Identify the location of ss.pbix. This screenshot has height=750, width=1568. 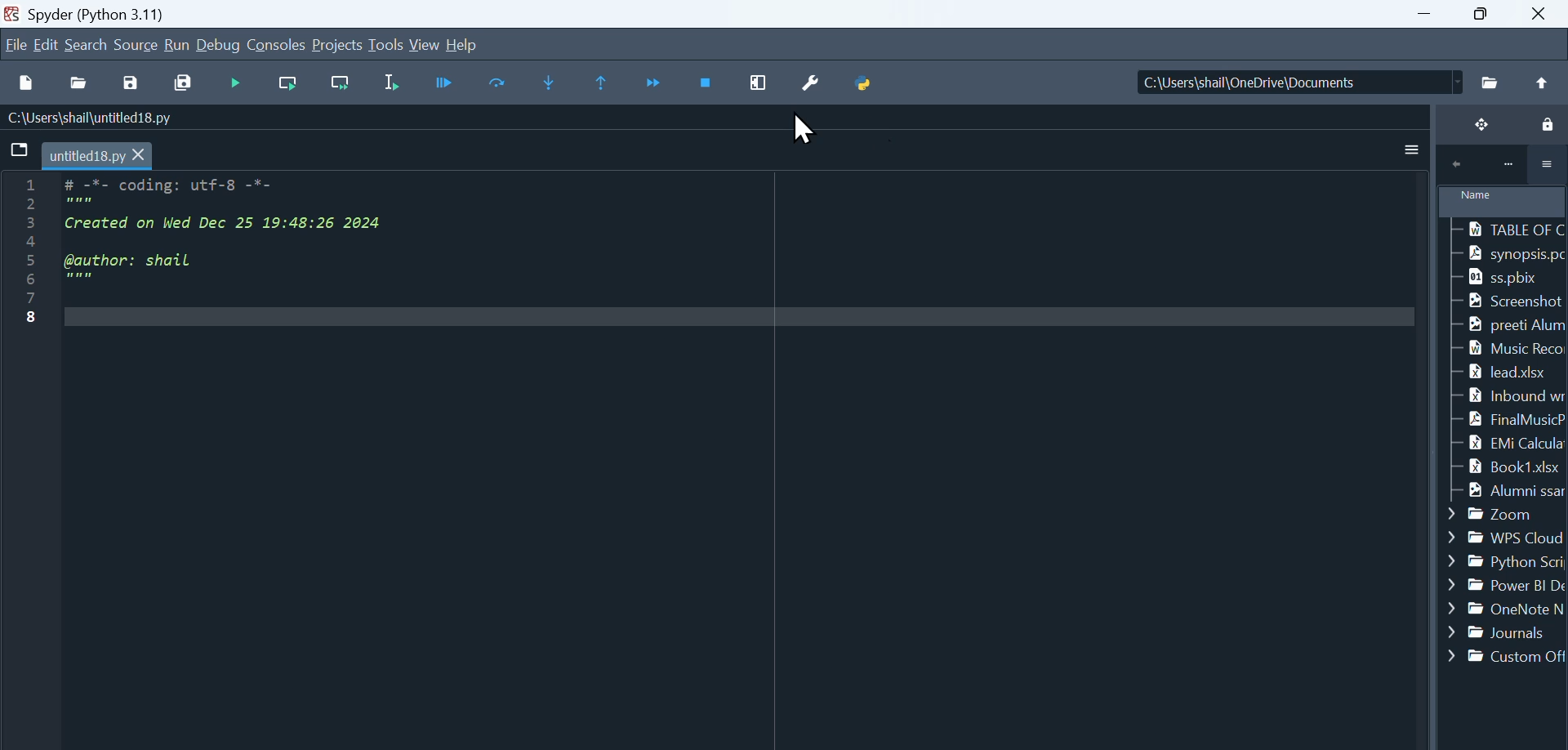
(1517, 279).